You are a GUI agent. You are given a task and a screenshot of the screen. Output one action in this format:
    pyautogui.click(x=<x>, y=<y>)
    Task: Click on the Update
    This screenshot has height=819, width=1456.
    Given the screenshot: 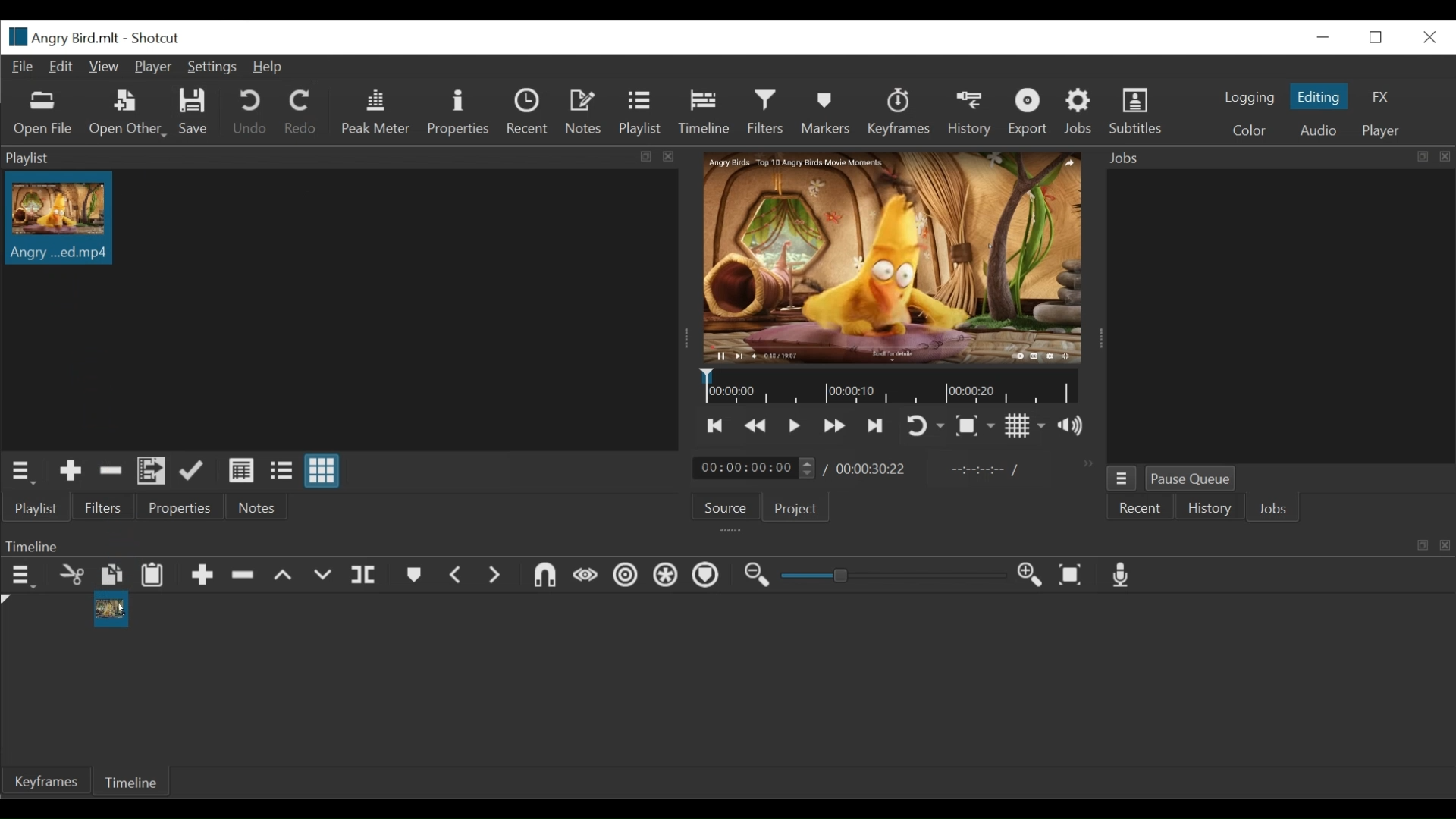 What is the action you would take?
    pyautogui.click(x=193, y=470)
    